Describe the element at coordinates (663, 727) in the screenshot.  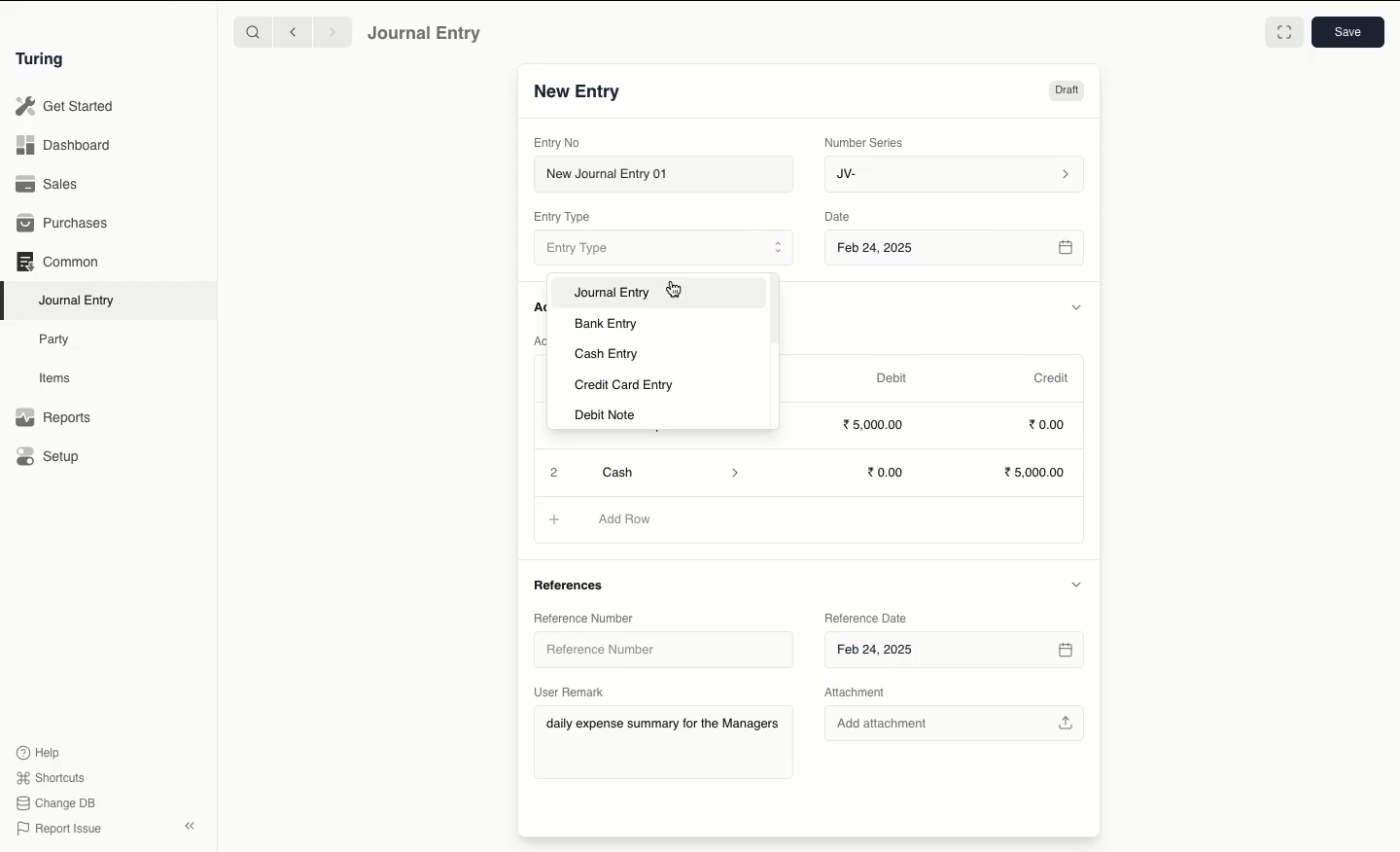
I see `daily expense summary for the Managers` at that location.